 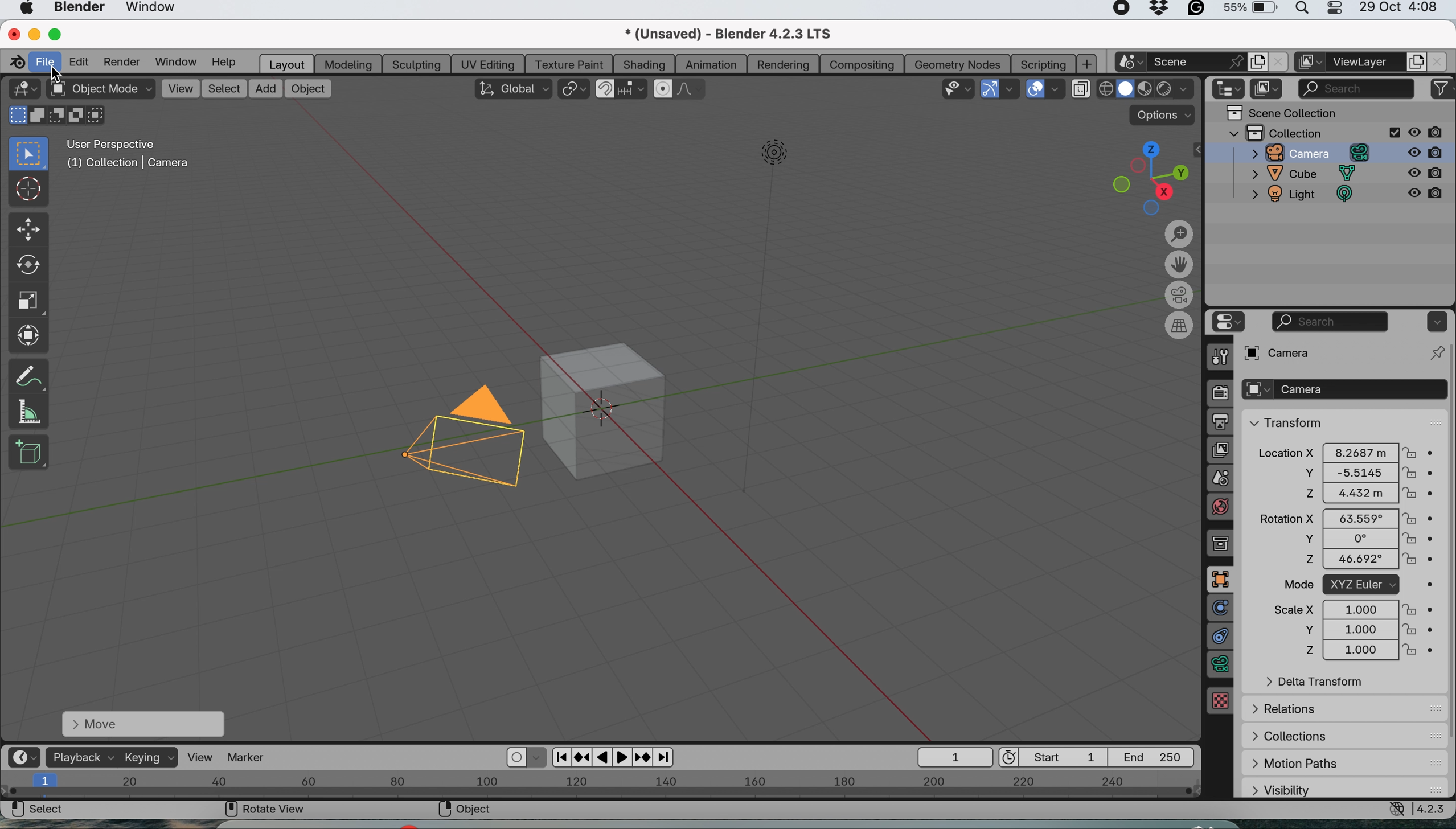 I want to click on close, so click(x=13, y=33).